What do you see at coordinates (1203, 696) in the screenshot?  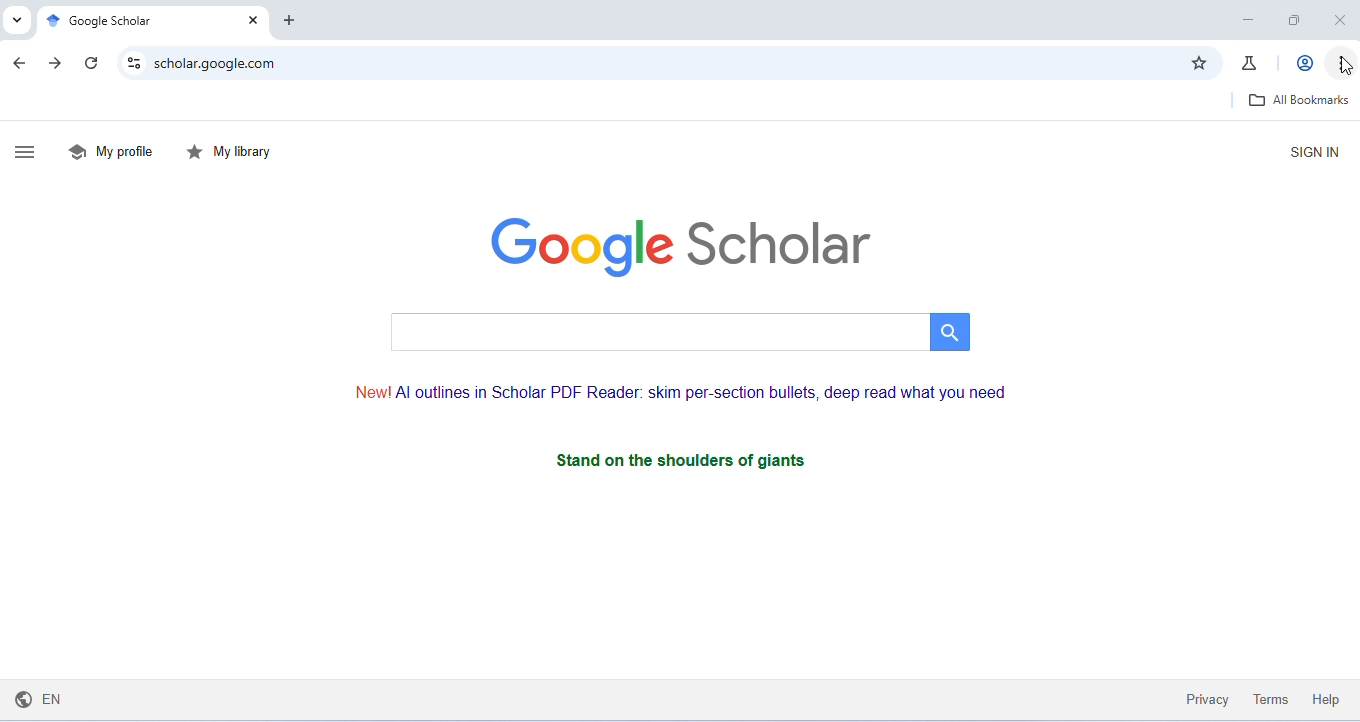 I see `privacy` at bounding box center [1203, 696].